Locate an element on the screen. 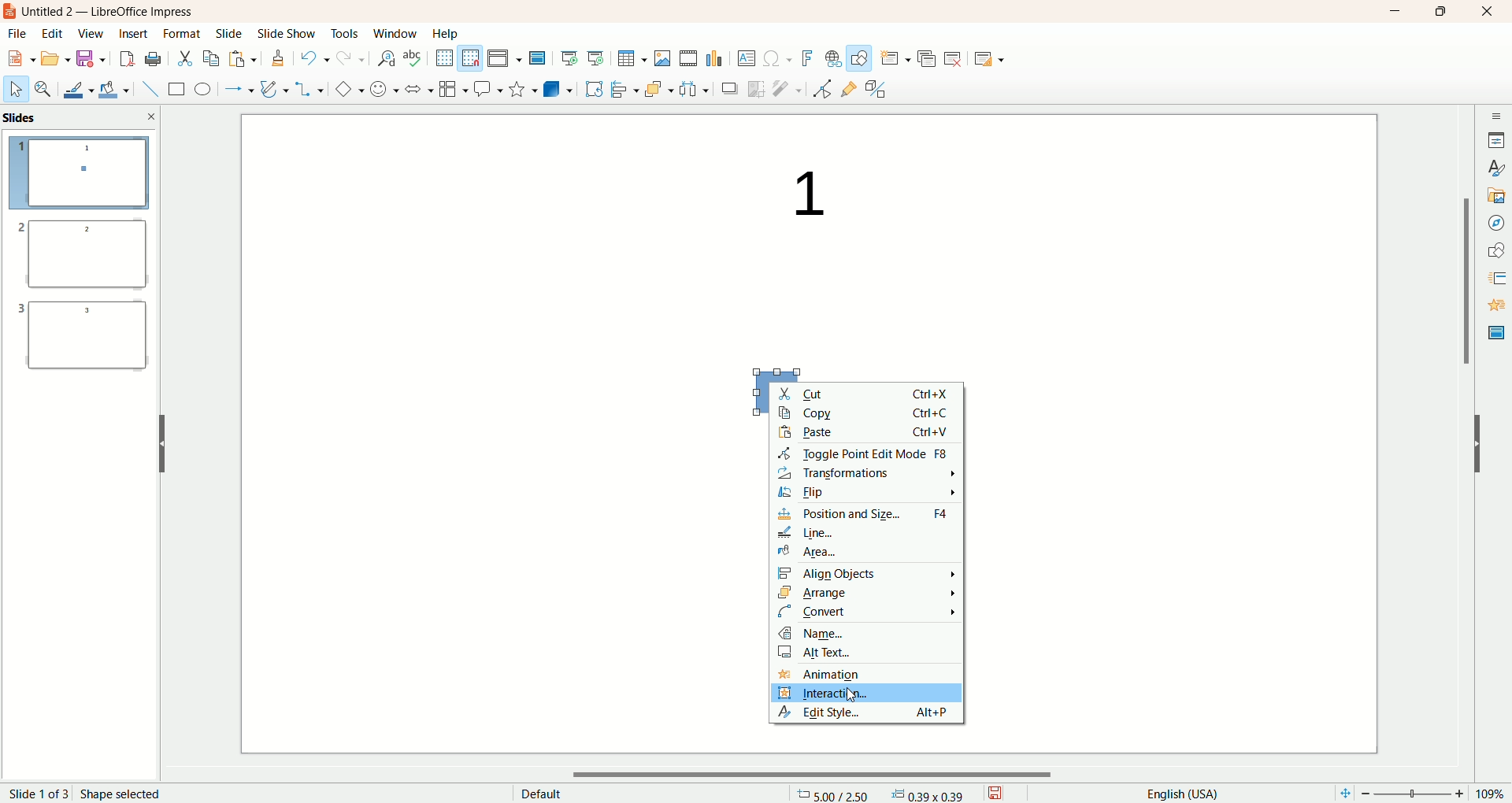 The height and width of the screenshot is (803, 1512). curves and polygon is located at coordinates (272, 87).